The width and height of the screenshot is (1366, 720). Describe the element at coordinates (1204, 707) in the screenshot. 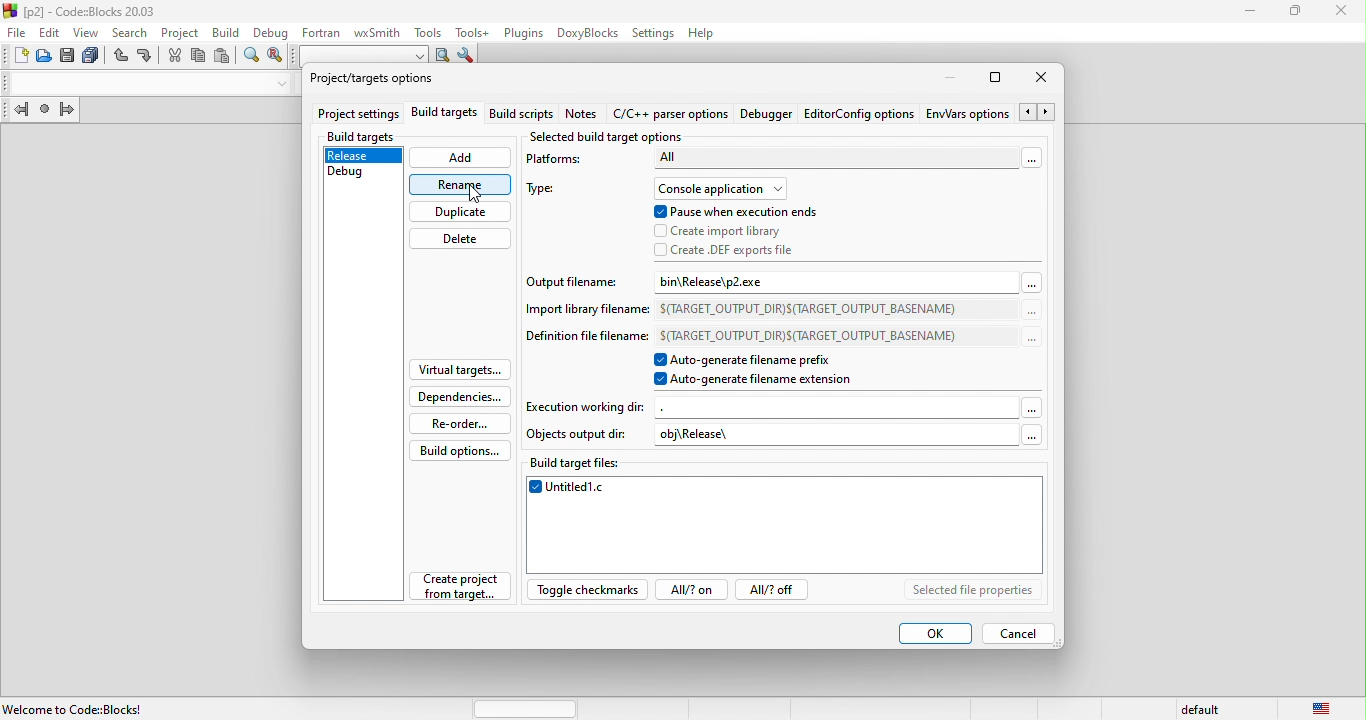

I see `default` at that location.